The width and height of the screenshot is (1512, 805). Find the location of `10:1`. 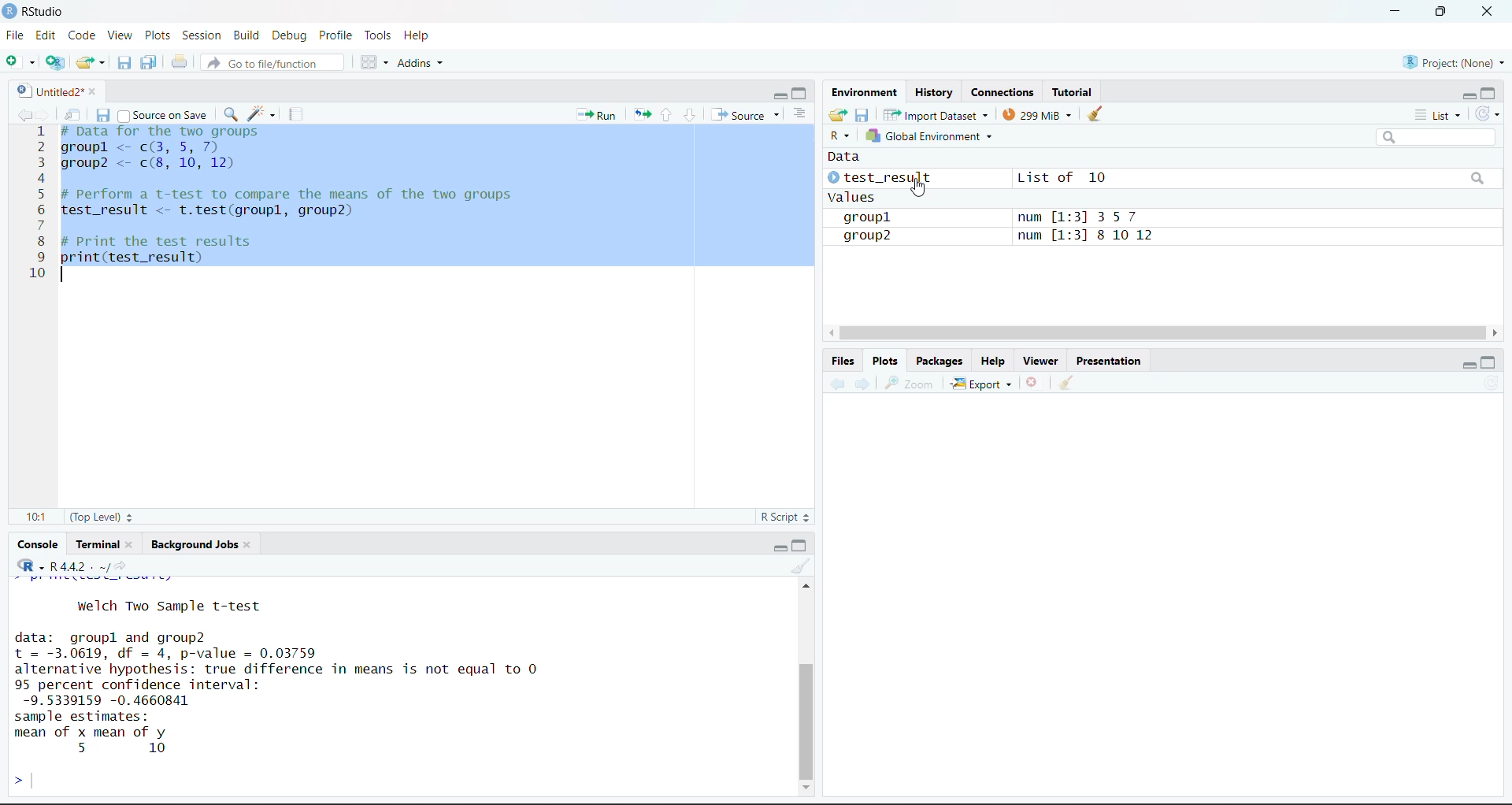

10:1 is located at coordinates (37, 517).